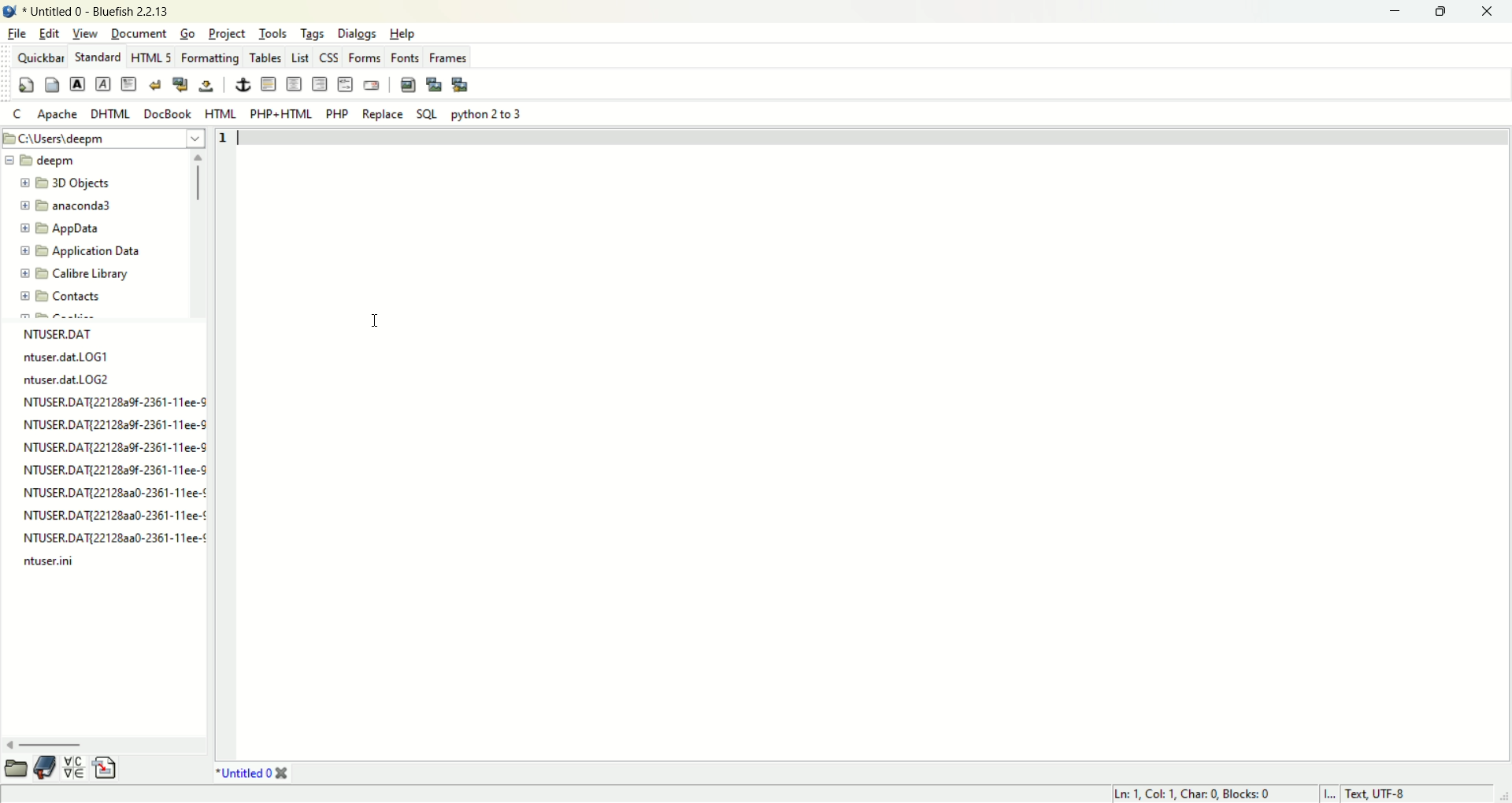  Describe the element at coordinates (243, 85) in the screenshot. I see `anchor` at that location.